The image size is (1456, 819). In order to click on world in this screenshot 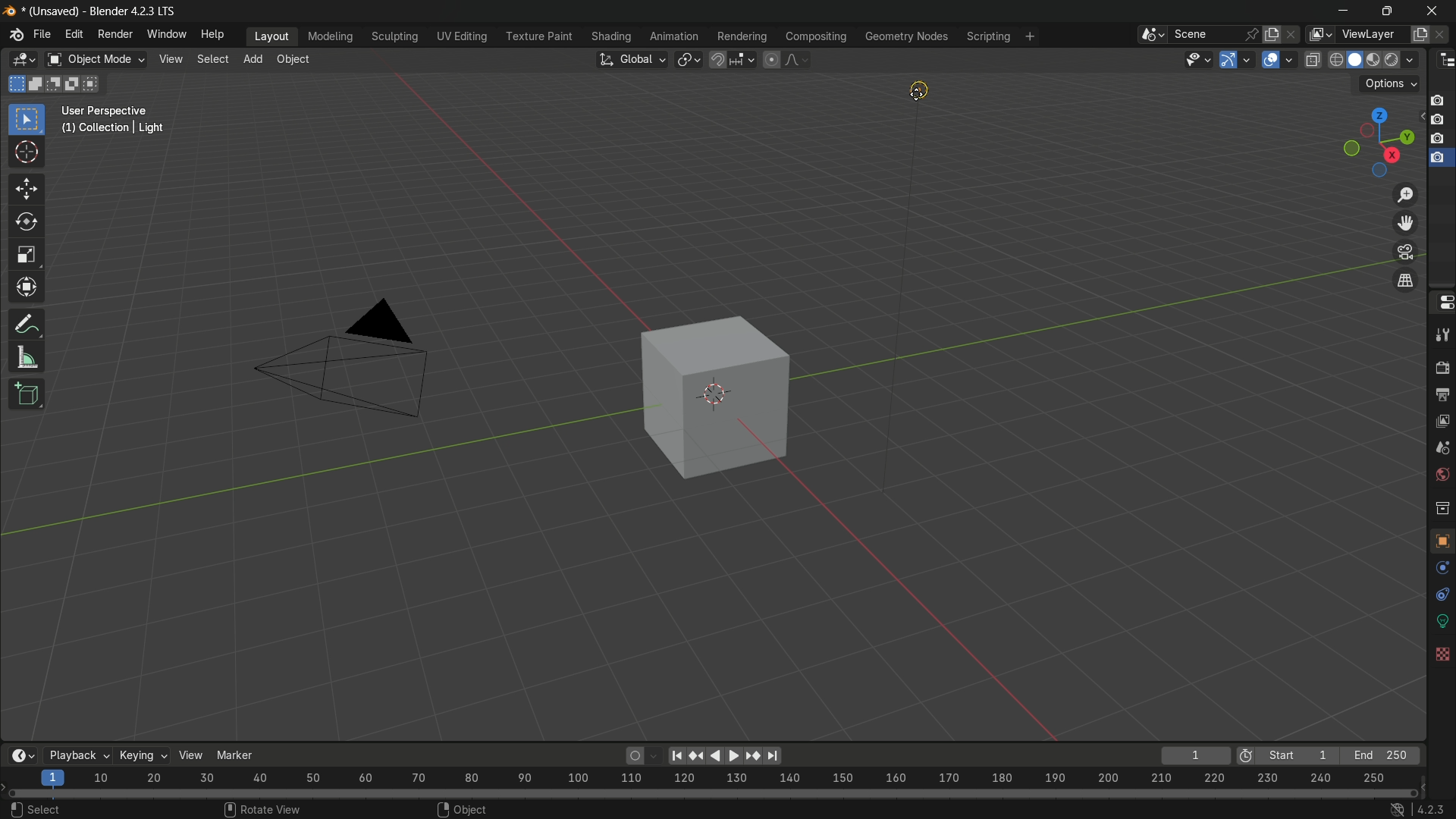, I will do `click(1442, 476)`.